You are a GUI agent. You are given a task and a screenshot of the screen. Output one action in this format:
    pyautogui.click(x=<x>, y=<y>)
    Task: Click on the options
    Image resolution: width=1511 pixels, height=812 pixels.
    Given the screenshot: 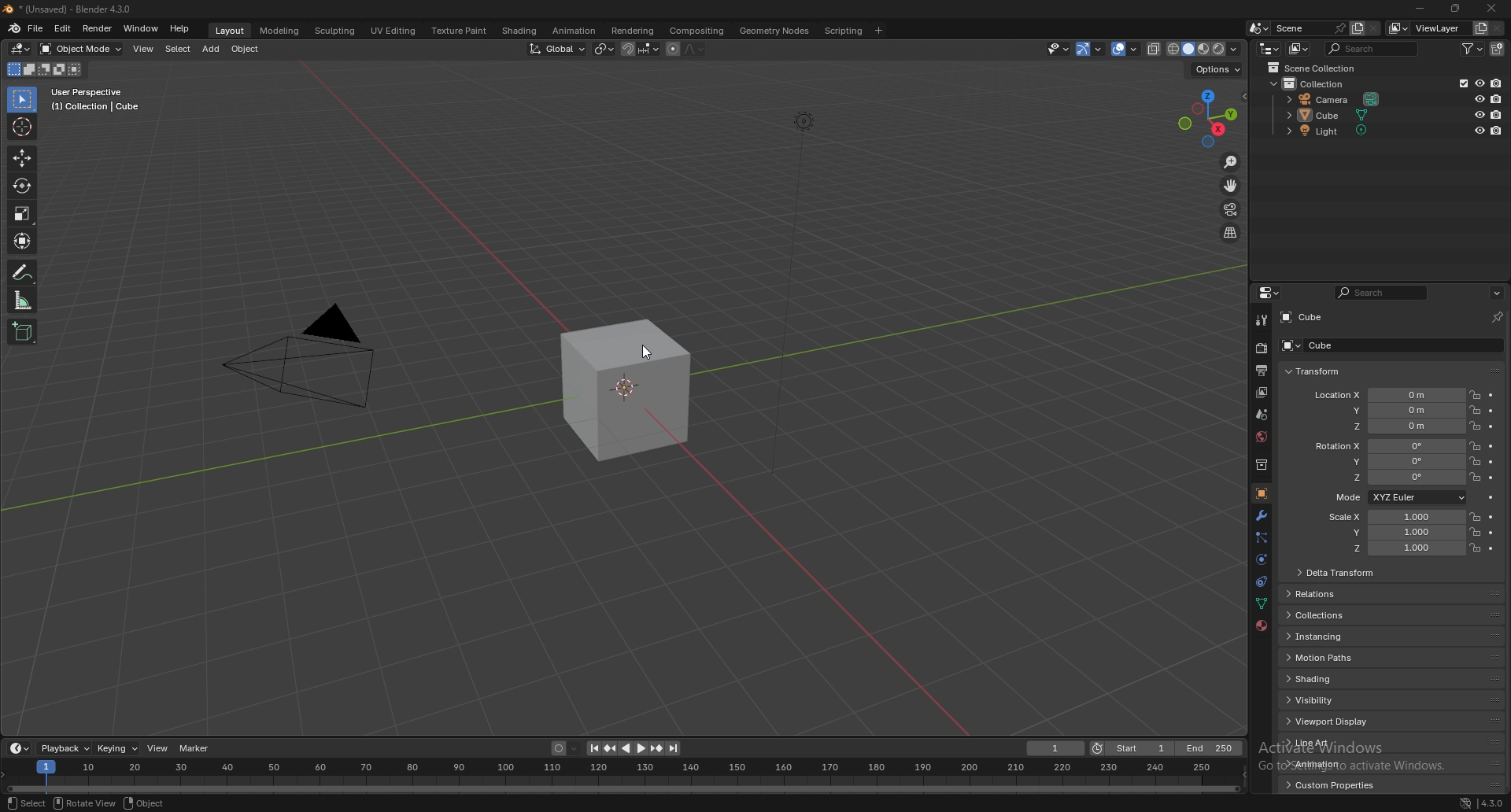 What is the action you would take?
    pyautogui.click(x=1217, y=71)
    